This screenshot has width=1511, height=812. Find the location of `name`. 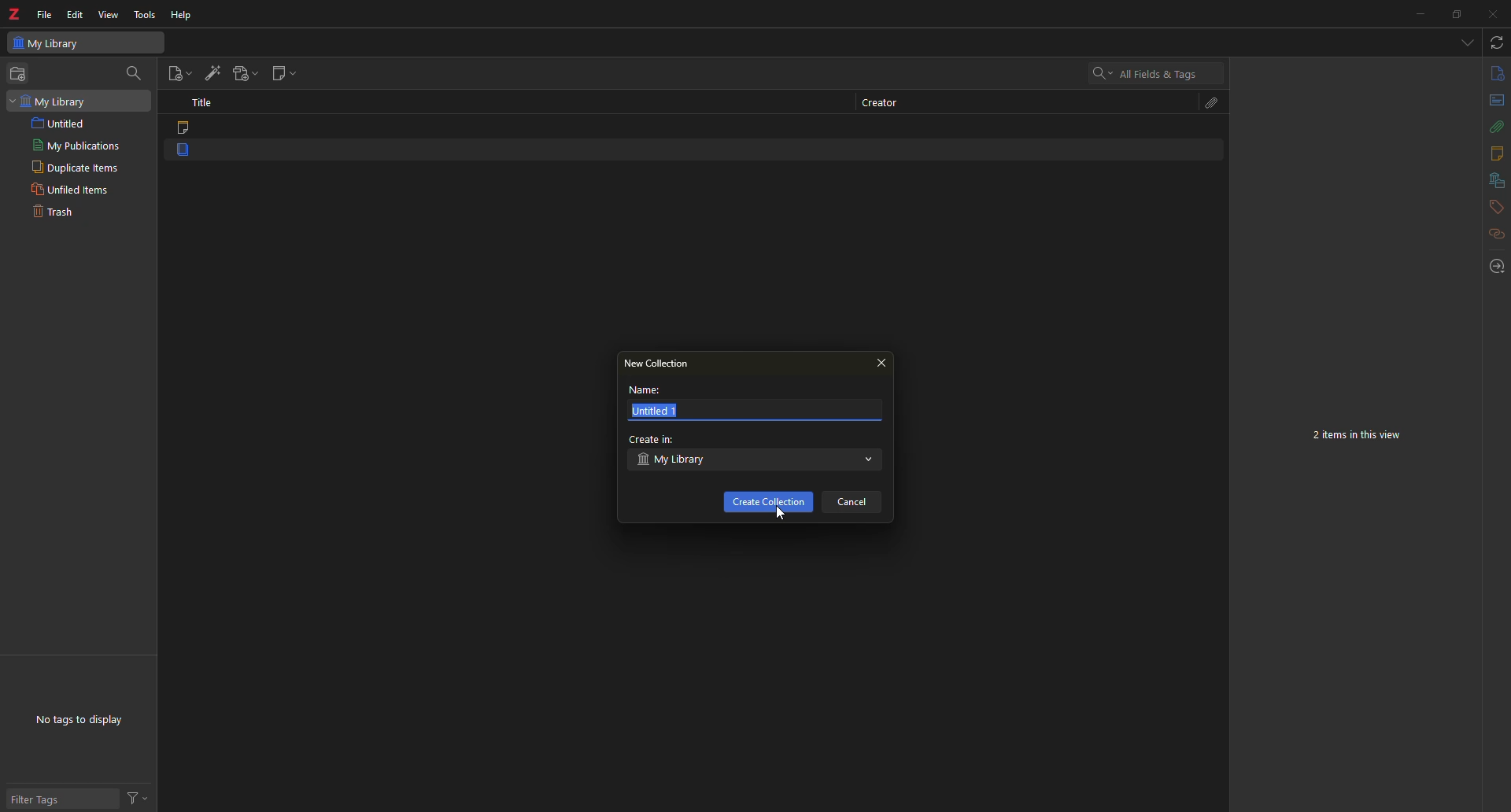

name is located at coordinates (644, 390).